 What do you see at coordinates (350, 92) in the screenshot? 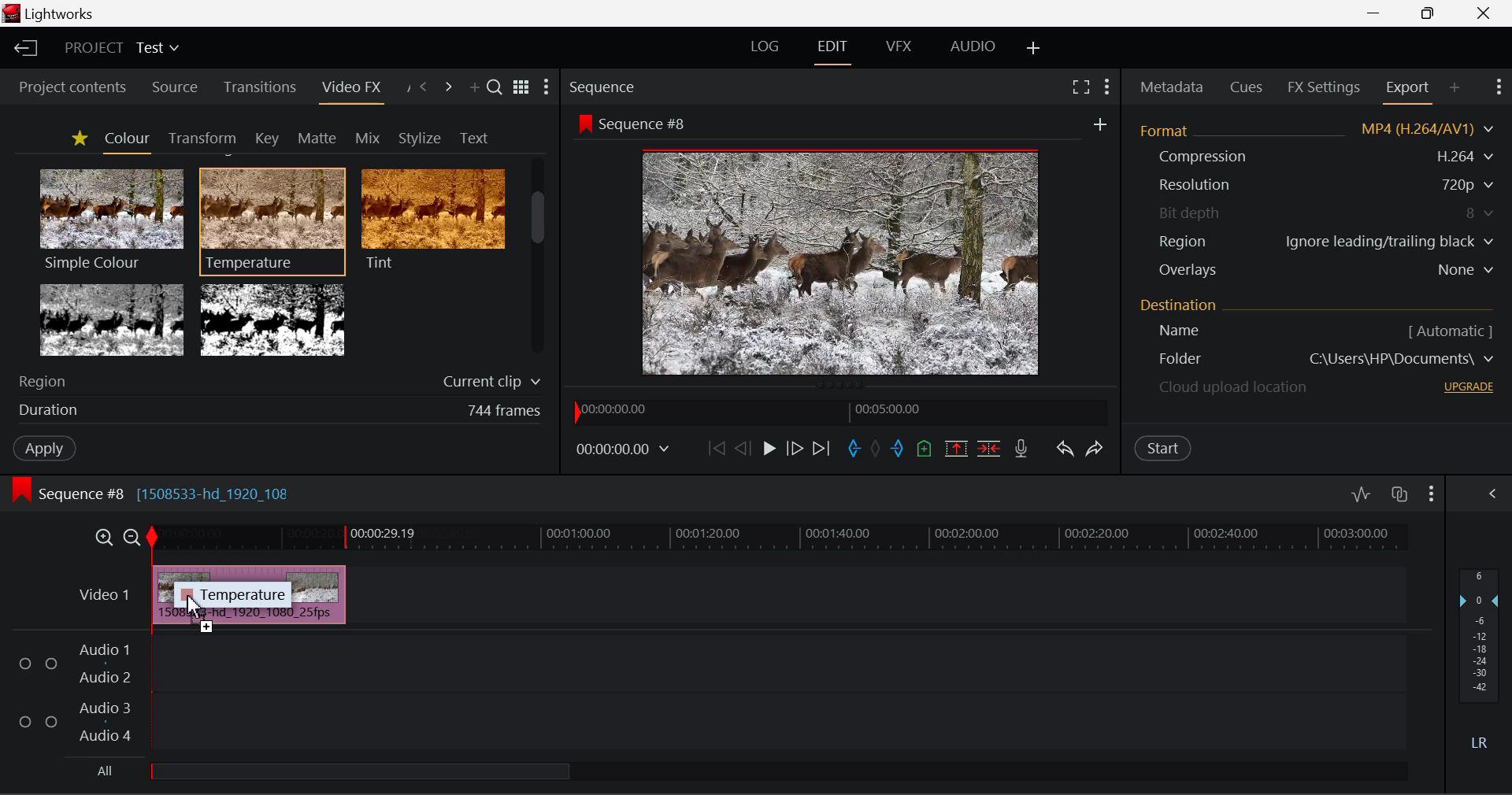
I see `Video FX` at bounding box center [350, 92].